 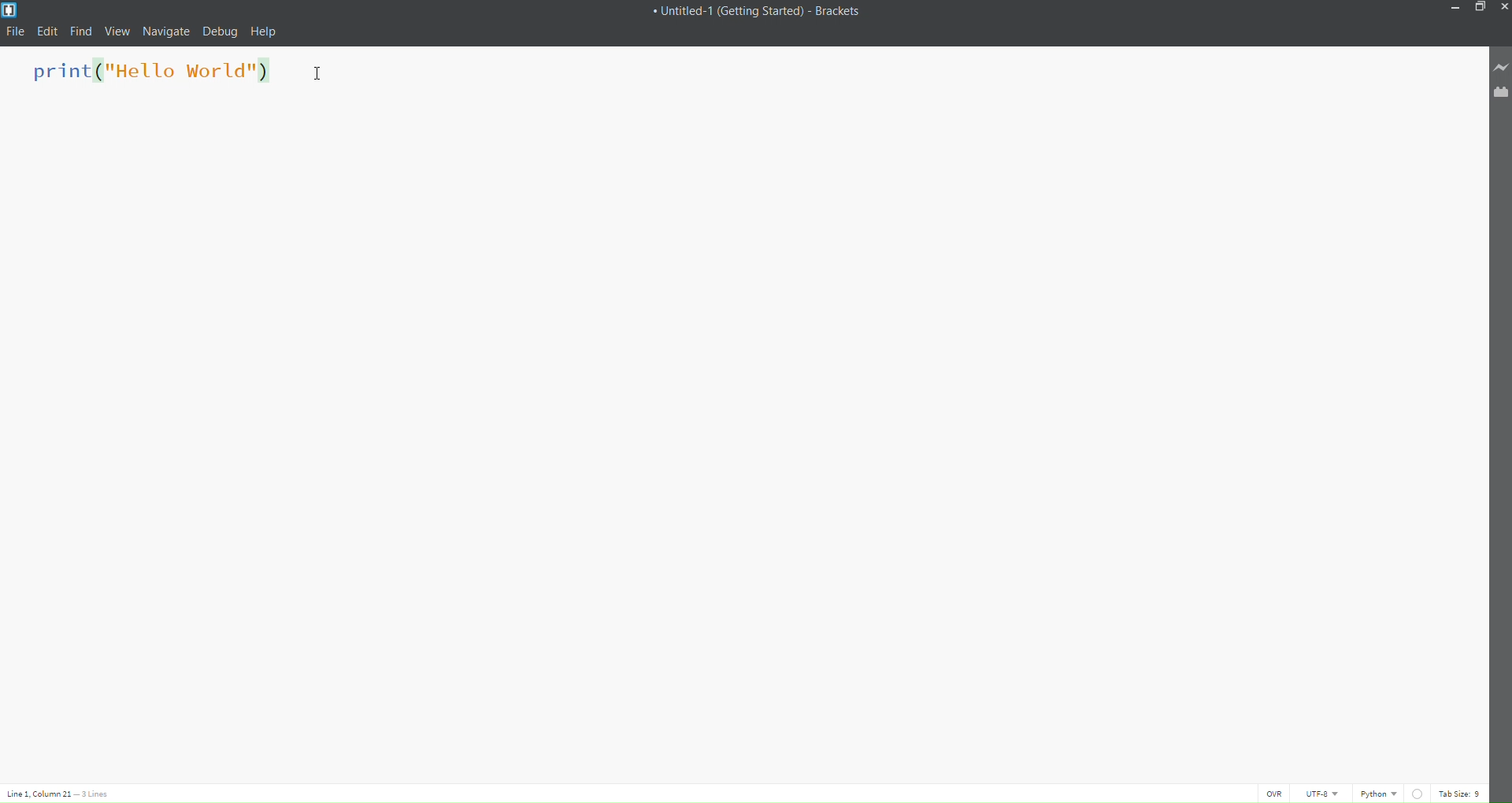 I want to click on linting, so click(x=1417, y=793).